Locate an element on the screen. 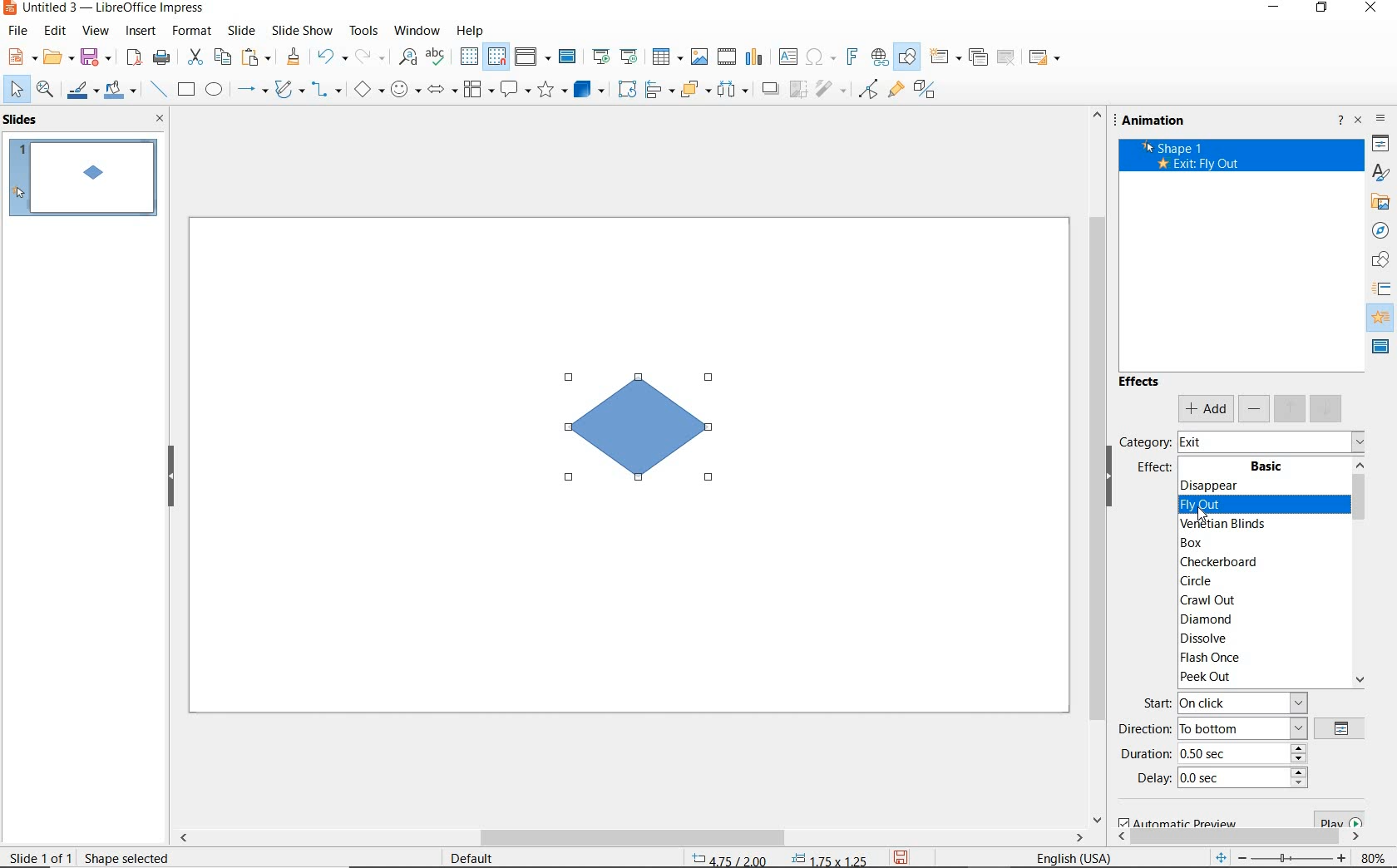 This screenshot has height=868, width=1397. icon is located at coordinates (1381, 289).